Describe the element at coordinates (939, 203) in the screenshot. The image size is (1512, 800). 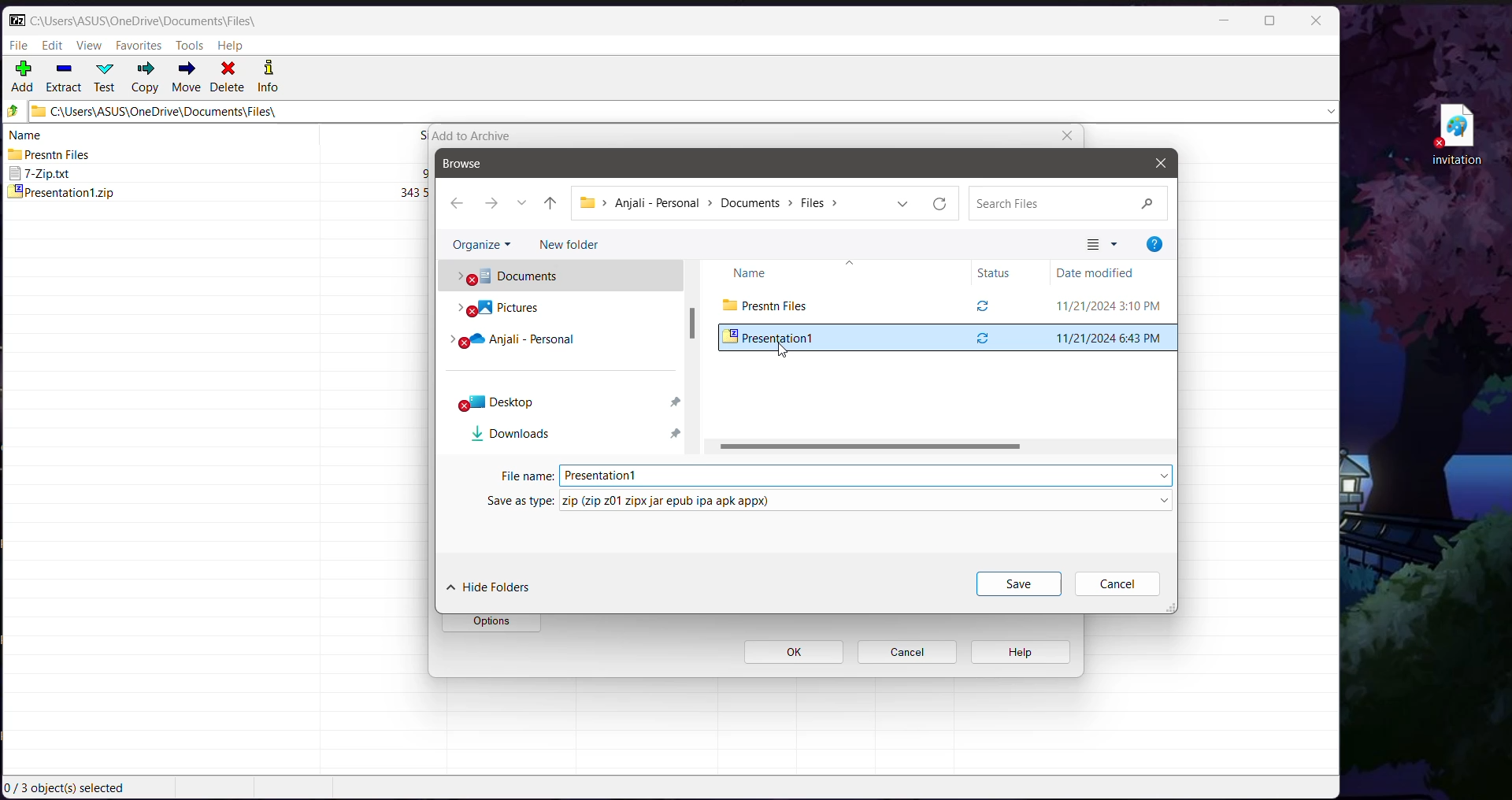
I see `Refresh current folder` at that location.